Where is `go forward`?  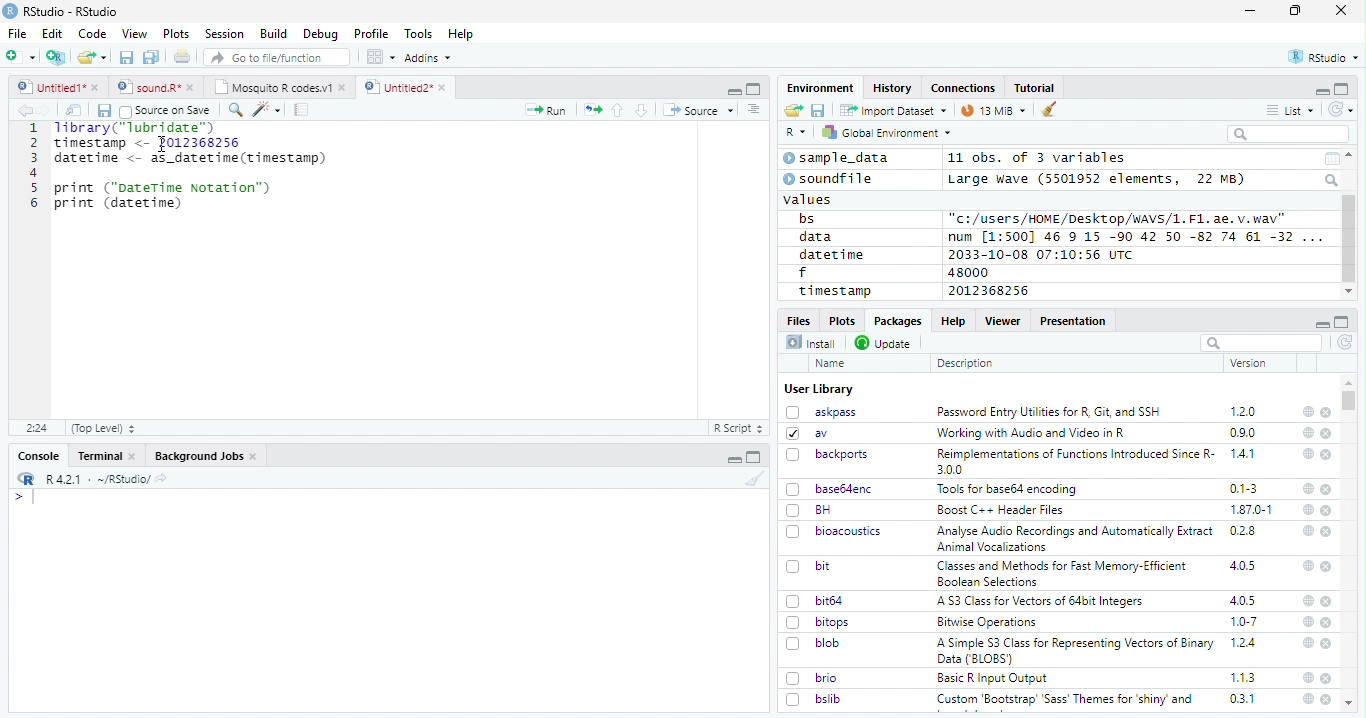 go forward is located at coordinates (48, 110).